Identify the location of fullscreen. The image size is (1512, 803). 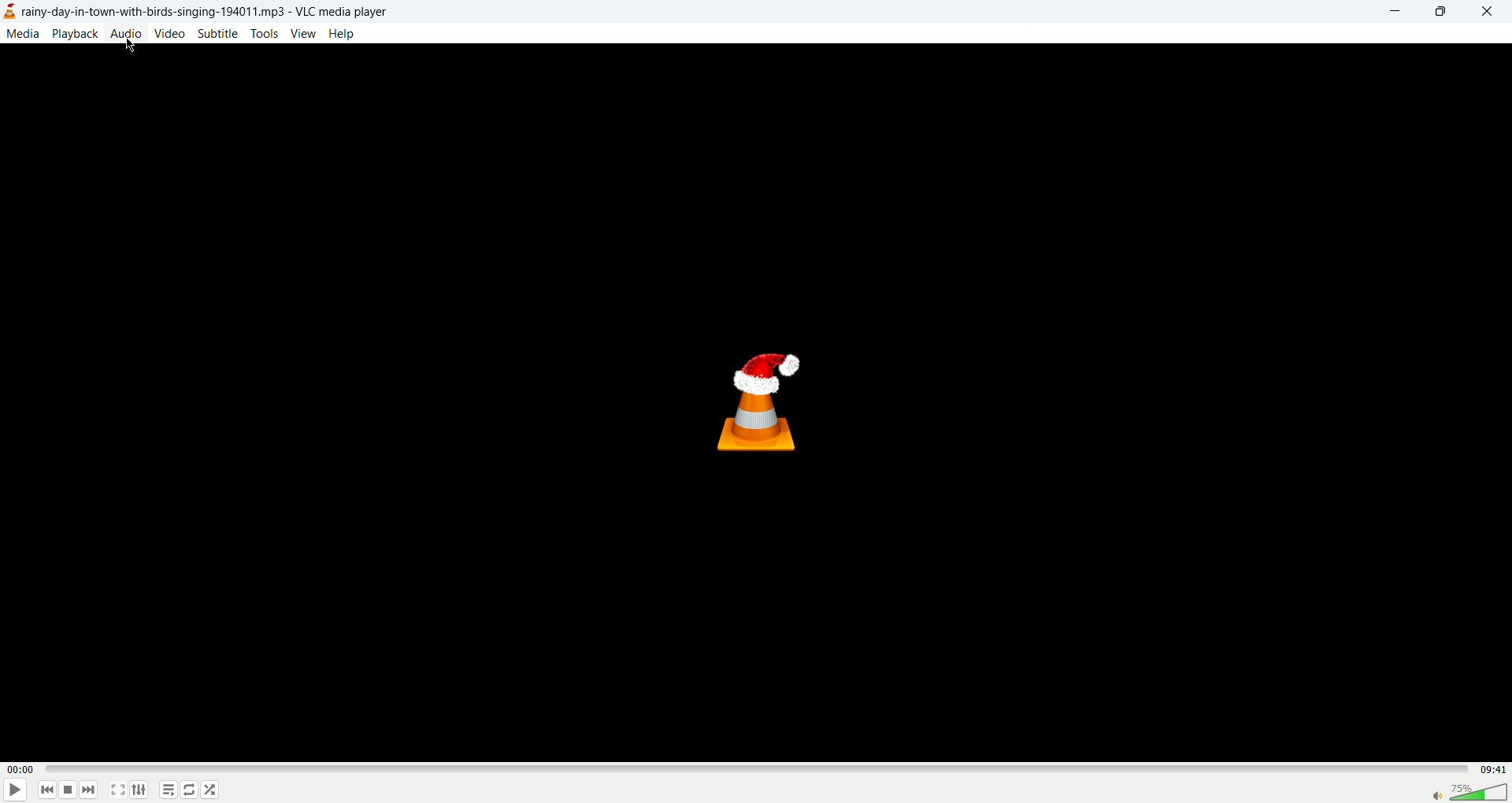
(120, 789).